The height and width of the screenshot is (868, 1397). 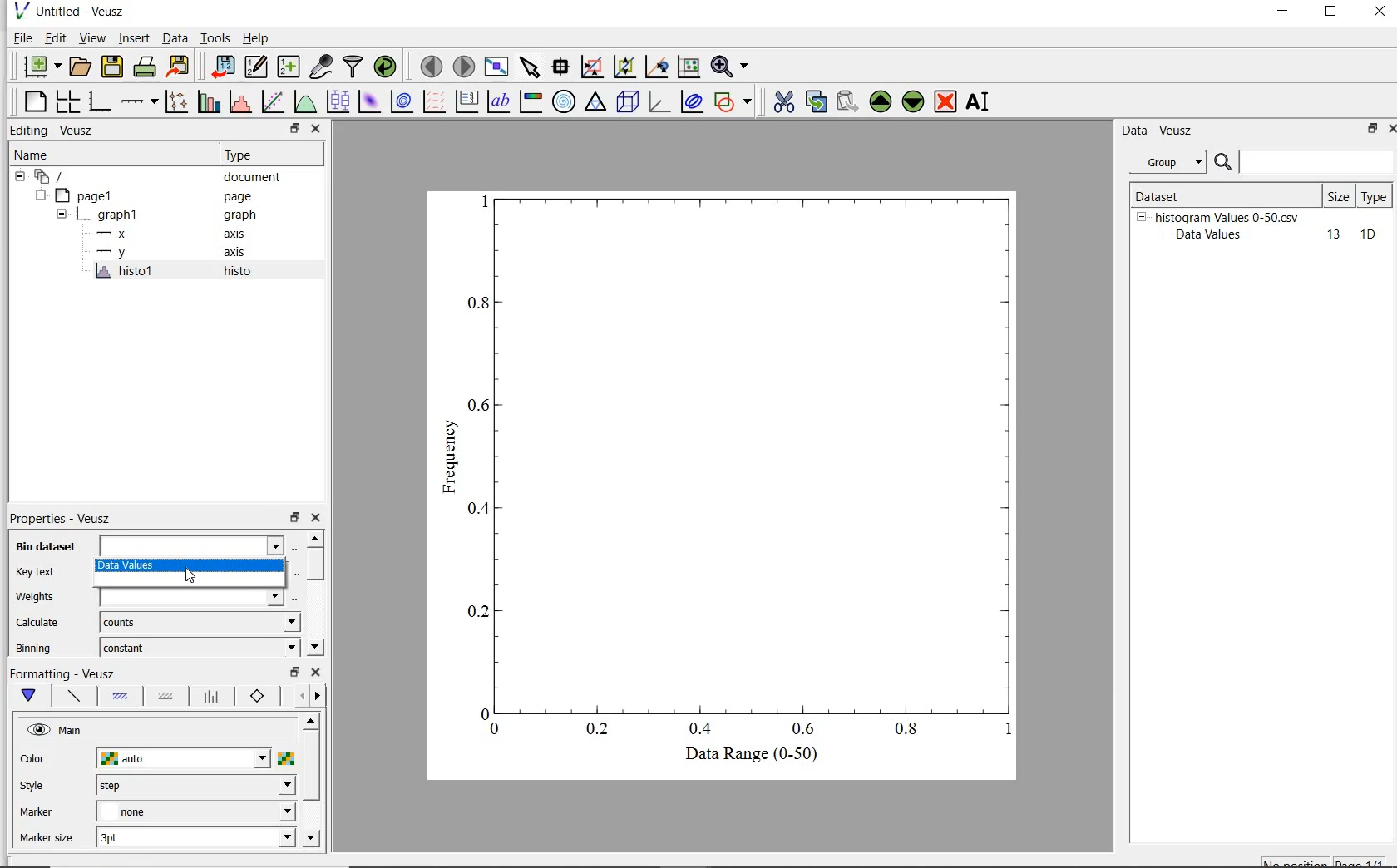 I want to click on restore down, so click(x=294, y=129).